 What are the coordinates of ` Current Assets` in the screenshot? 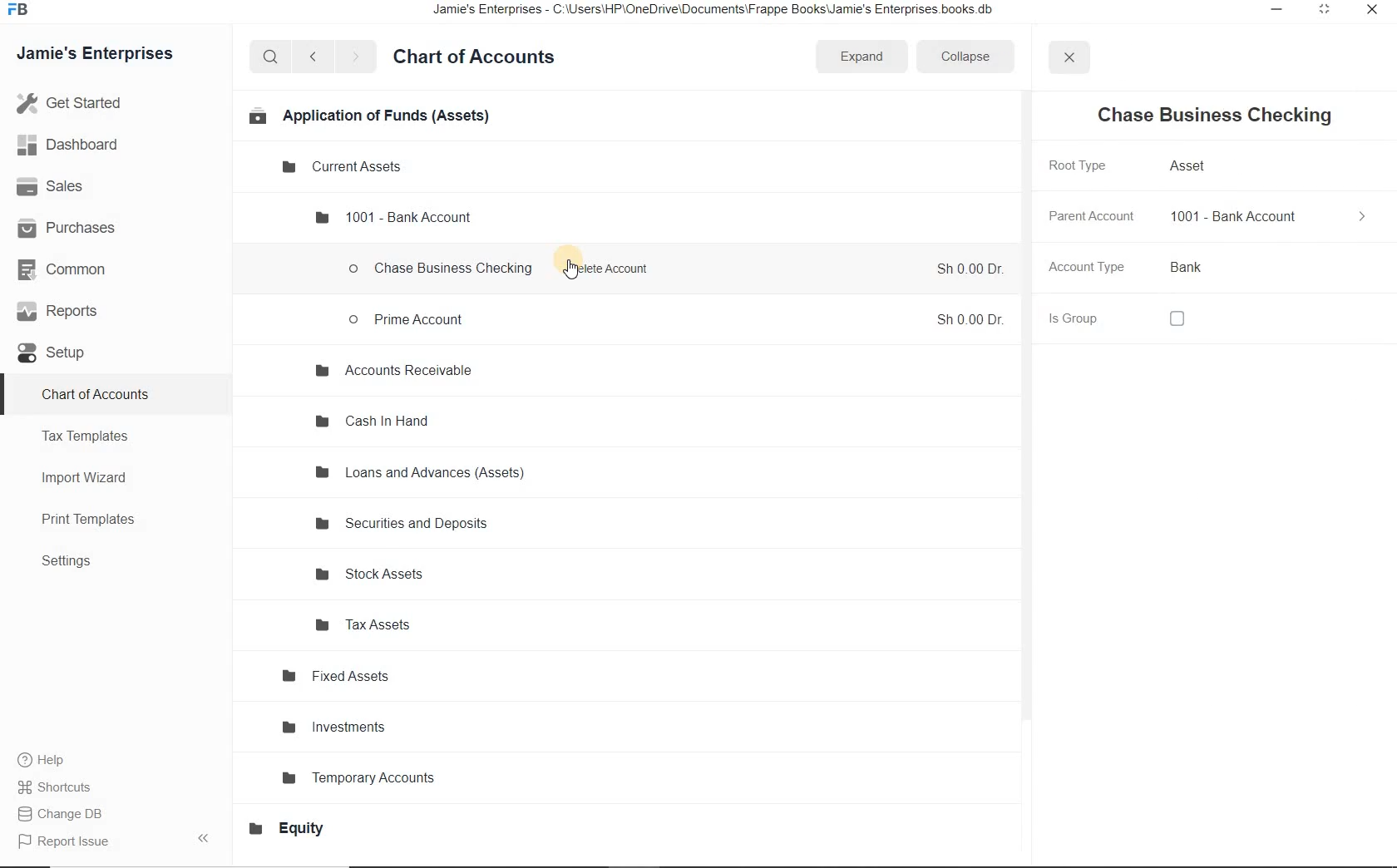 It's located at (345, 167).